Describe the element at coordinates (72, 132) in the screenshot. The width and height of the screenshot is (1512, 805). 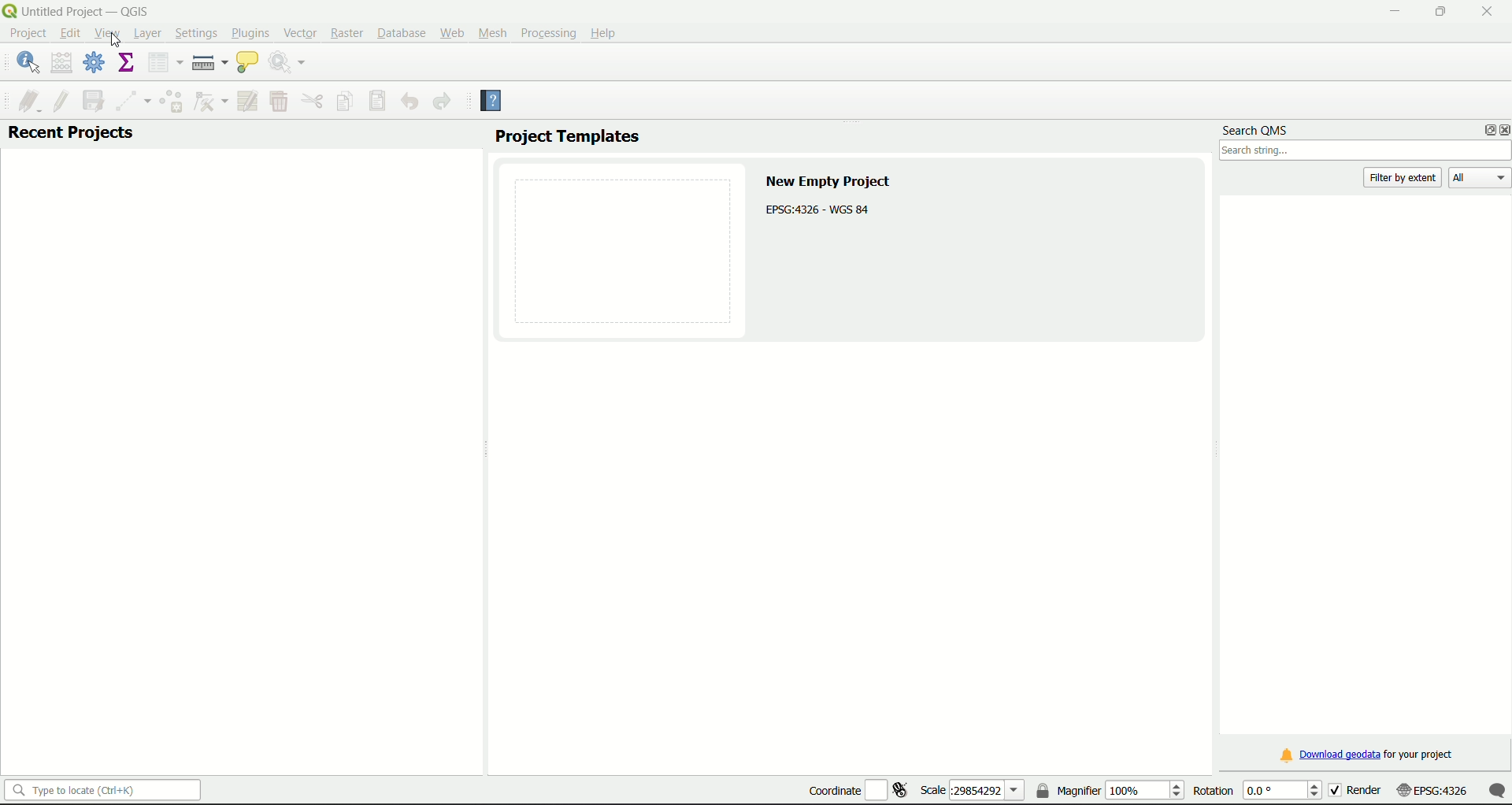
I see `recent projects` at that location.